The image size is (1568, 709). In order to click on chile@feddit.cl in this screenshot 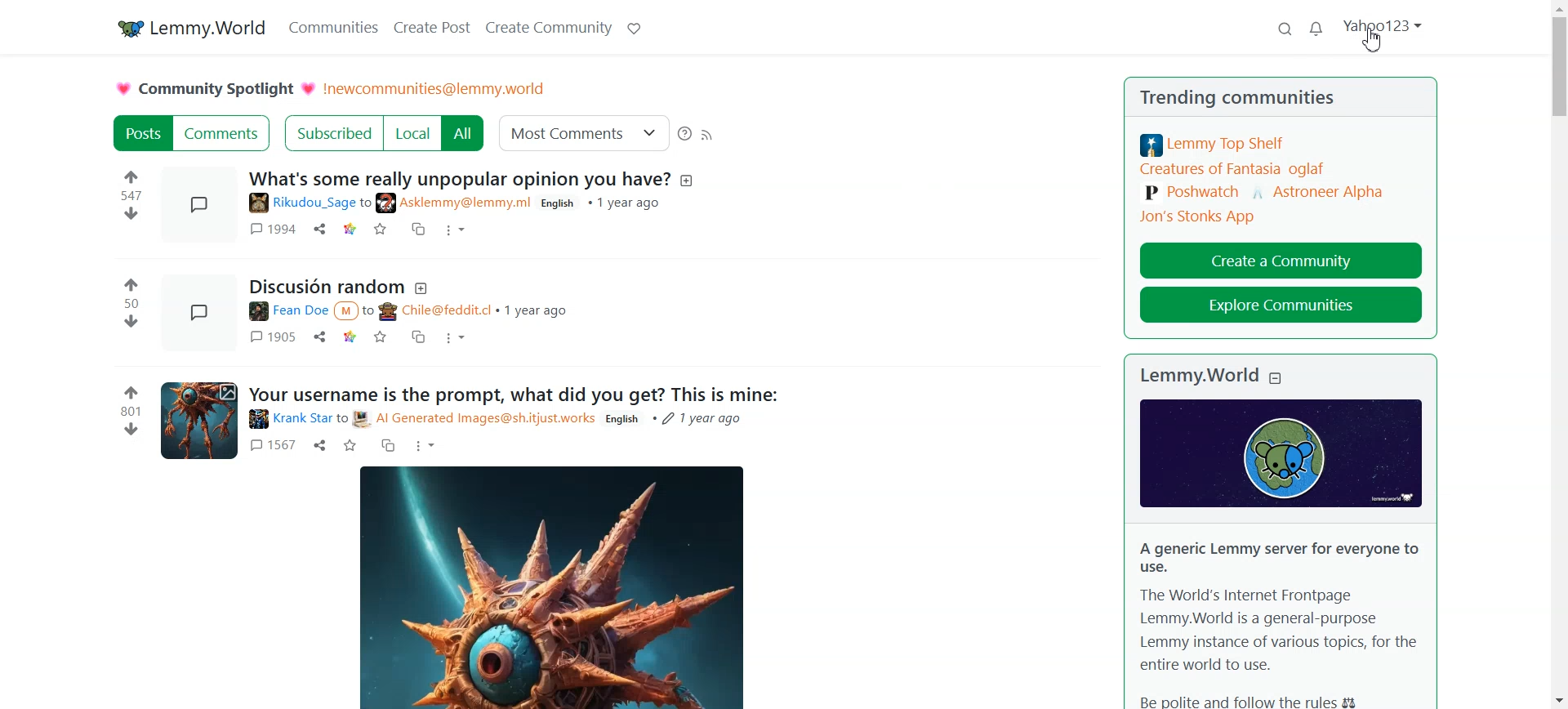, I will do `click(435, 312)`.